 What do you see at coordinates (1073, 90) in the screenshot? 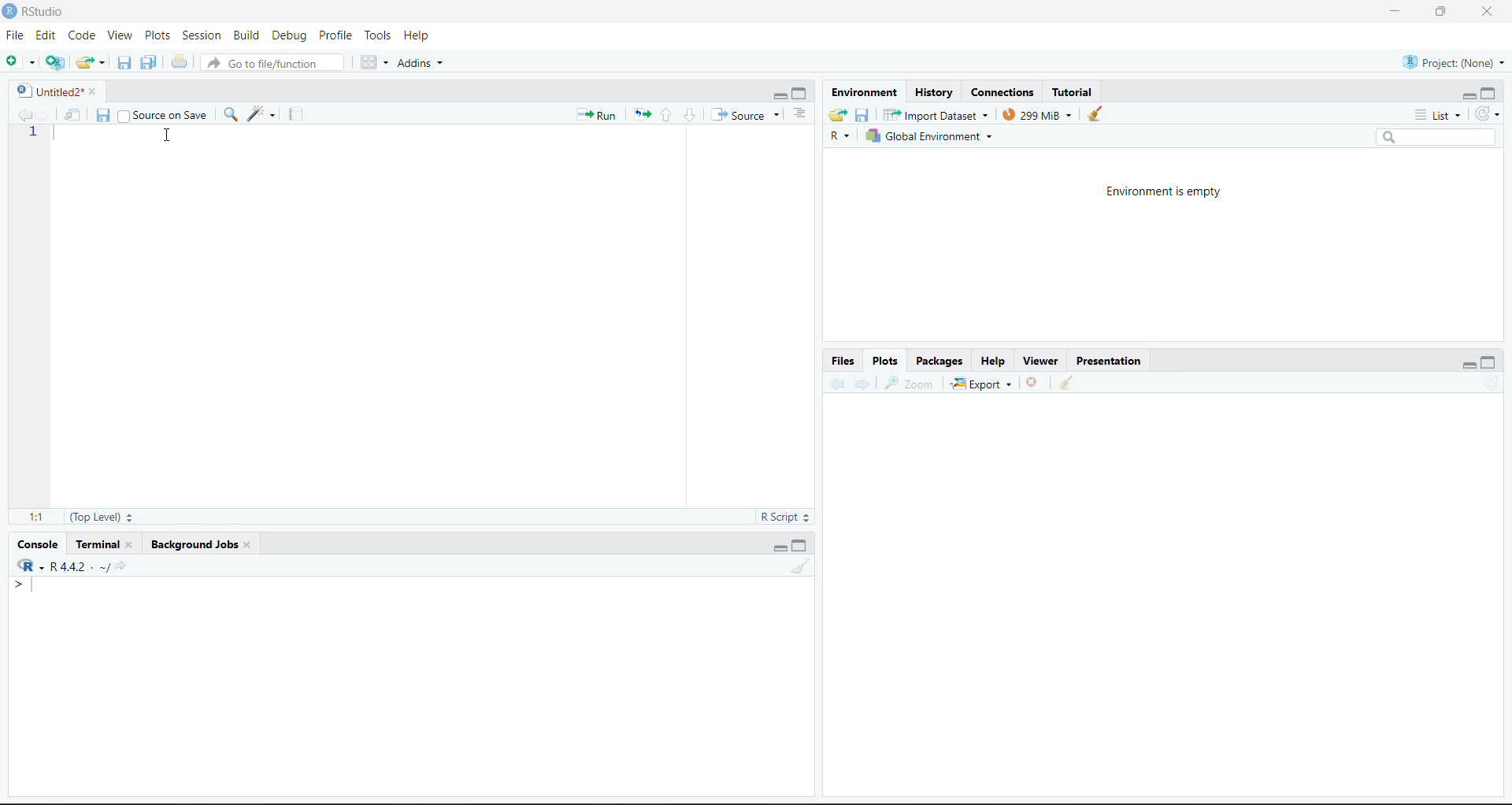
I see `Tutorial` at bounding box center [1073, 90].